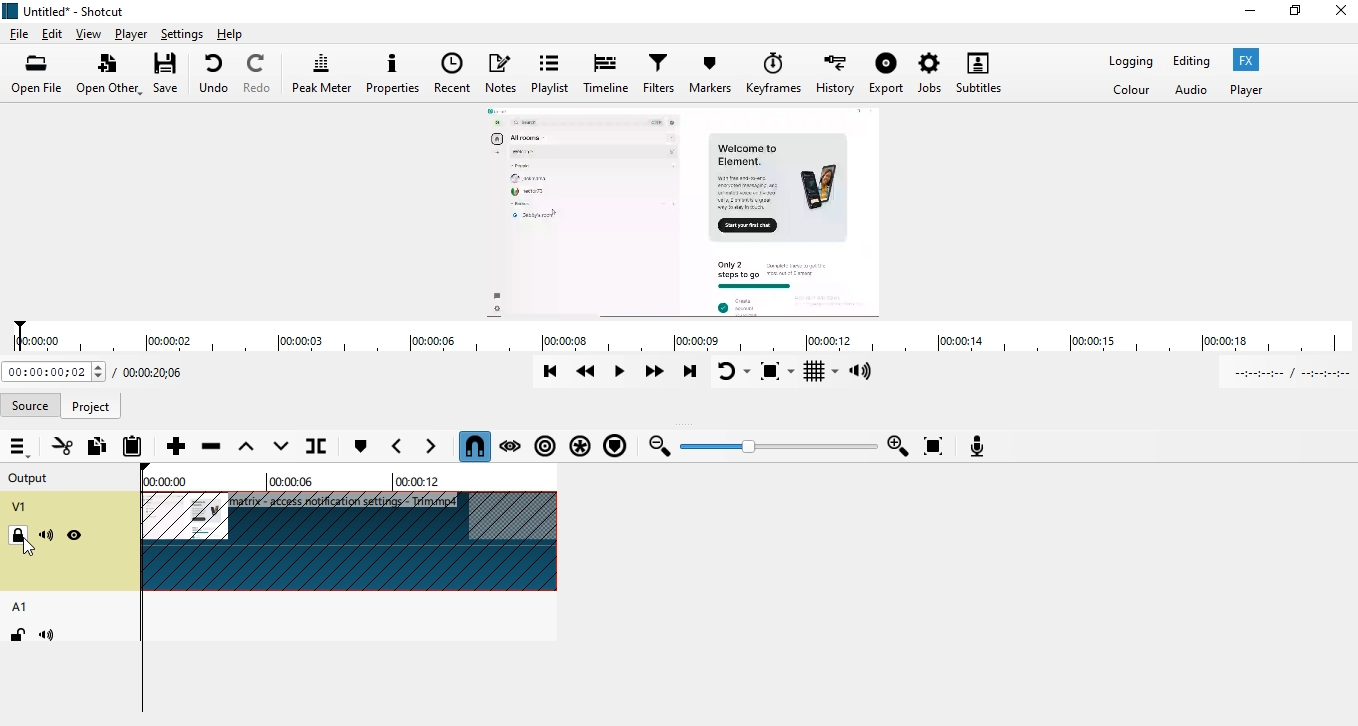  What do you see at coordinates (709, 77) in the screenshot?
I see `markers` at bounding box center [709, 77].